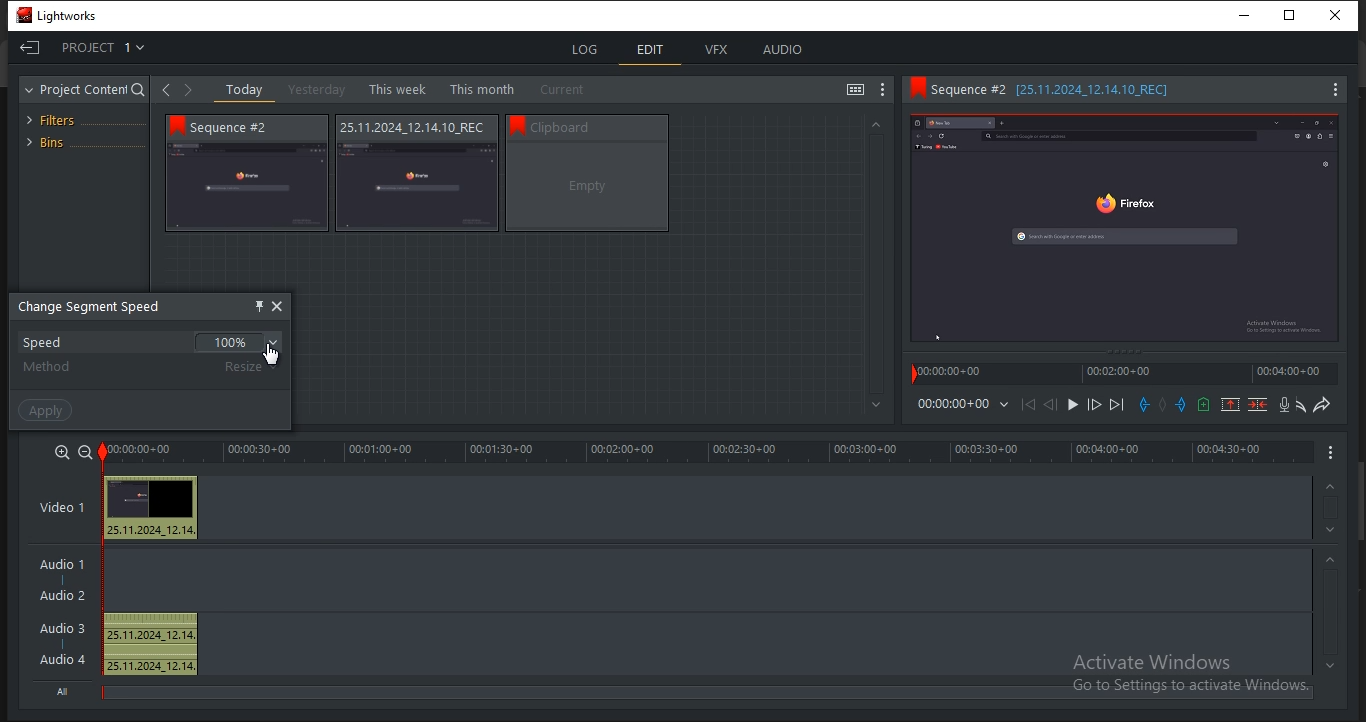 The width and height of the screenshot is (1366, 722). What do you see at coordinates (65, 660) in the screenshot?
I see `Audio 4` at bounding box center [65, 660].